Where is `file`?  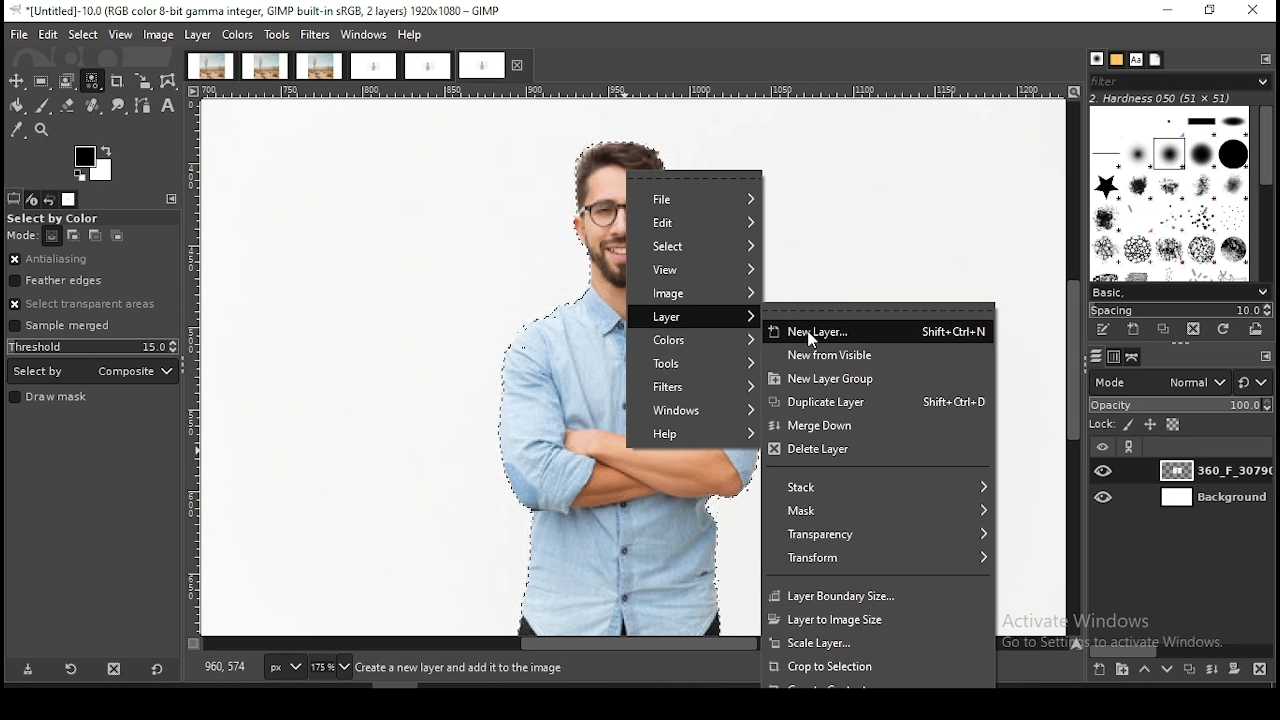 file is located at coordinates (20, 35).